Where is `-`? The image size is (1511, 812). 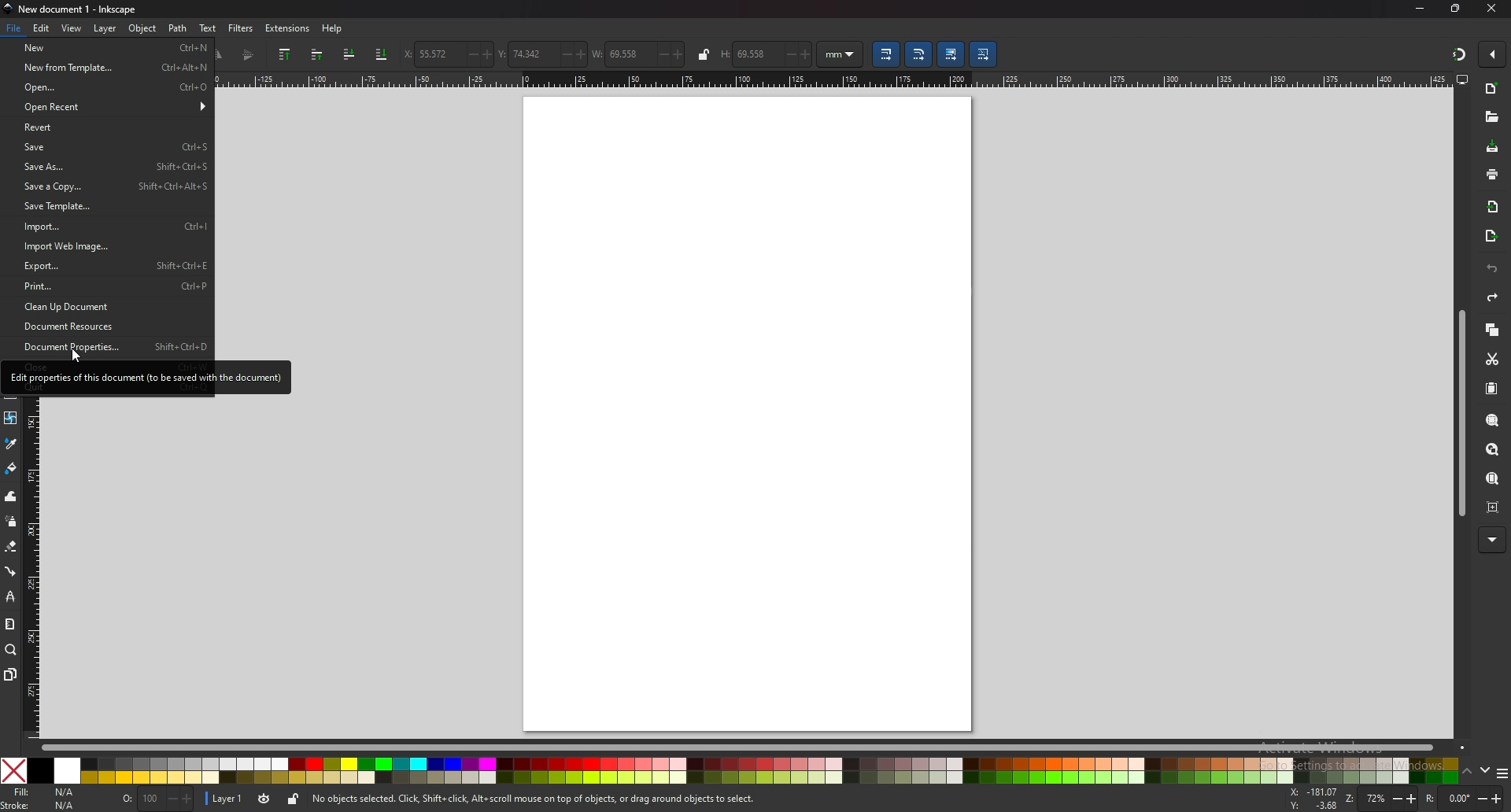 - is located at coordinates (789, 55).